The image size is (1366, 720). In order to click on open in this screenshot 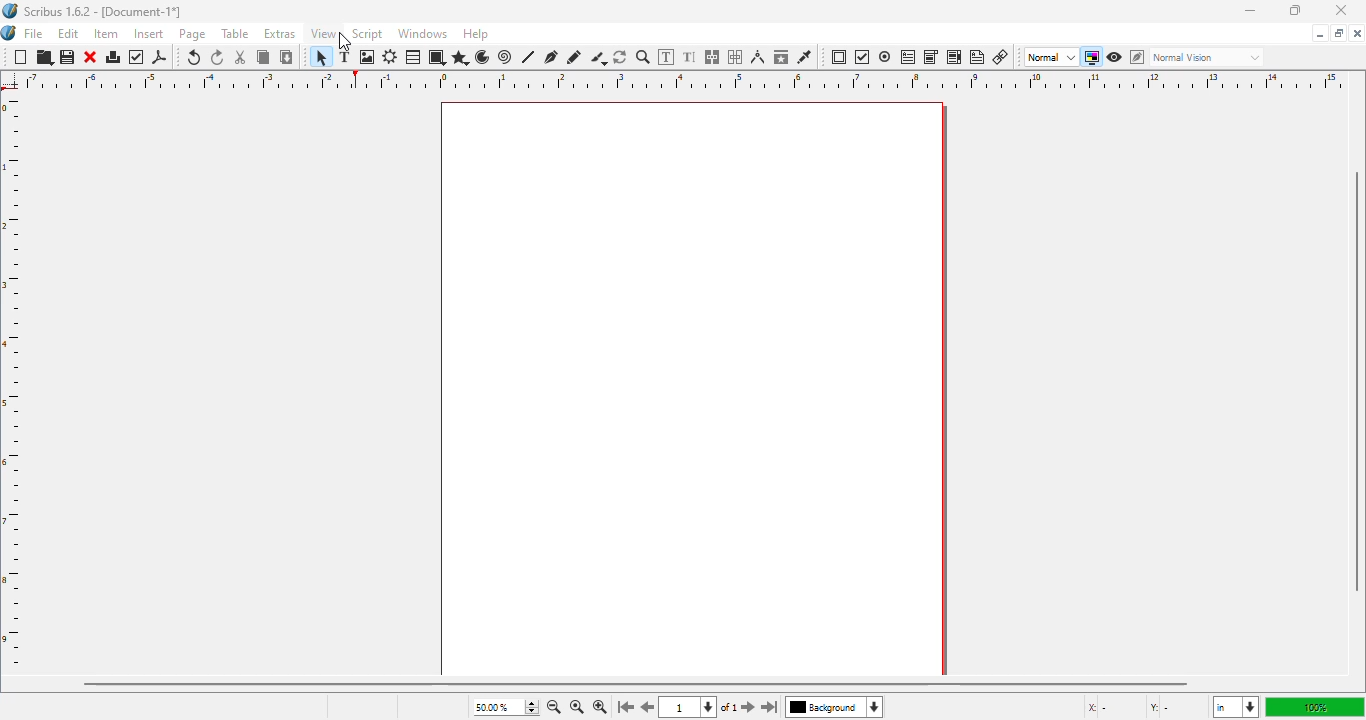, I will do `click(45, 58)`.